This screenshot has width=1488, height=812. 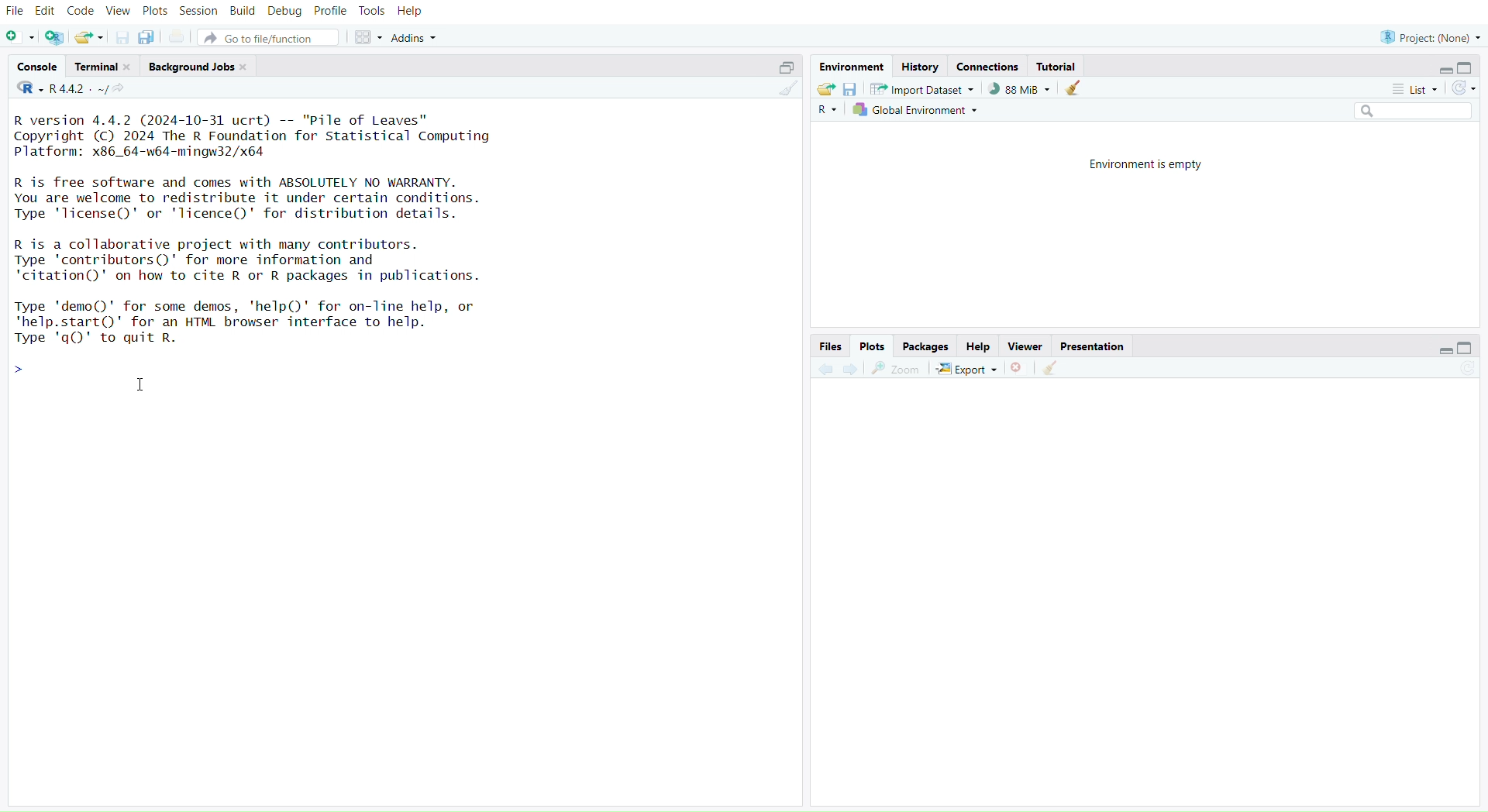 I want to click on background jobs, so click(x=201, y=67).